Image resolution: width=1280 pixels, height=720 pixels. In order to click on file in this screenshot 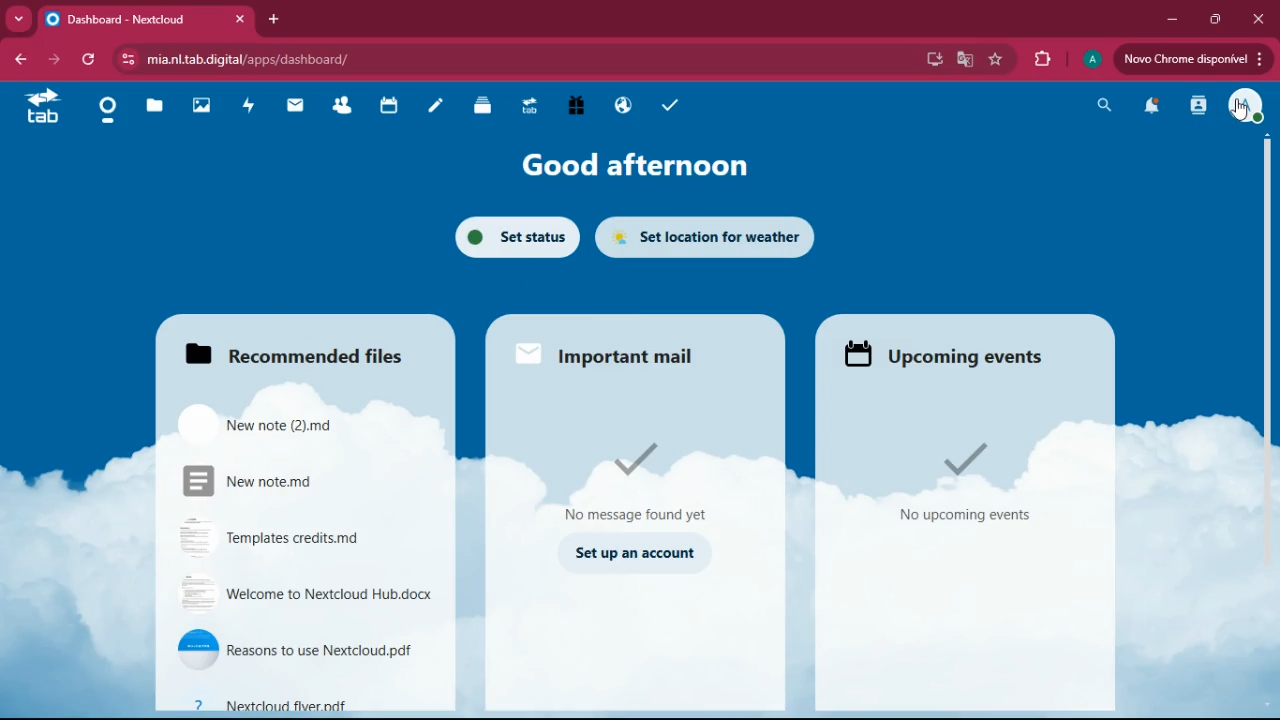, I will do `click(267, 423)`.